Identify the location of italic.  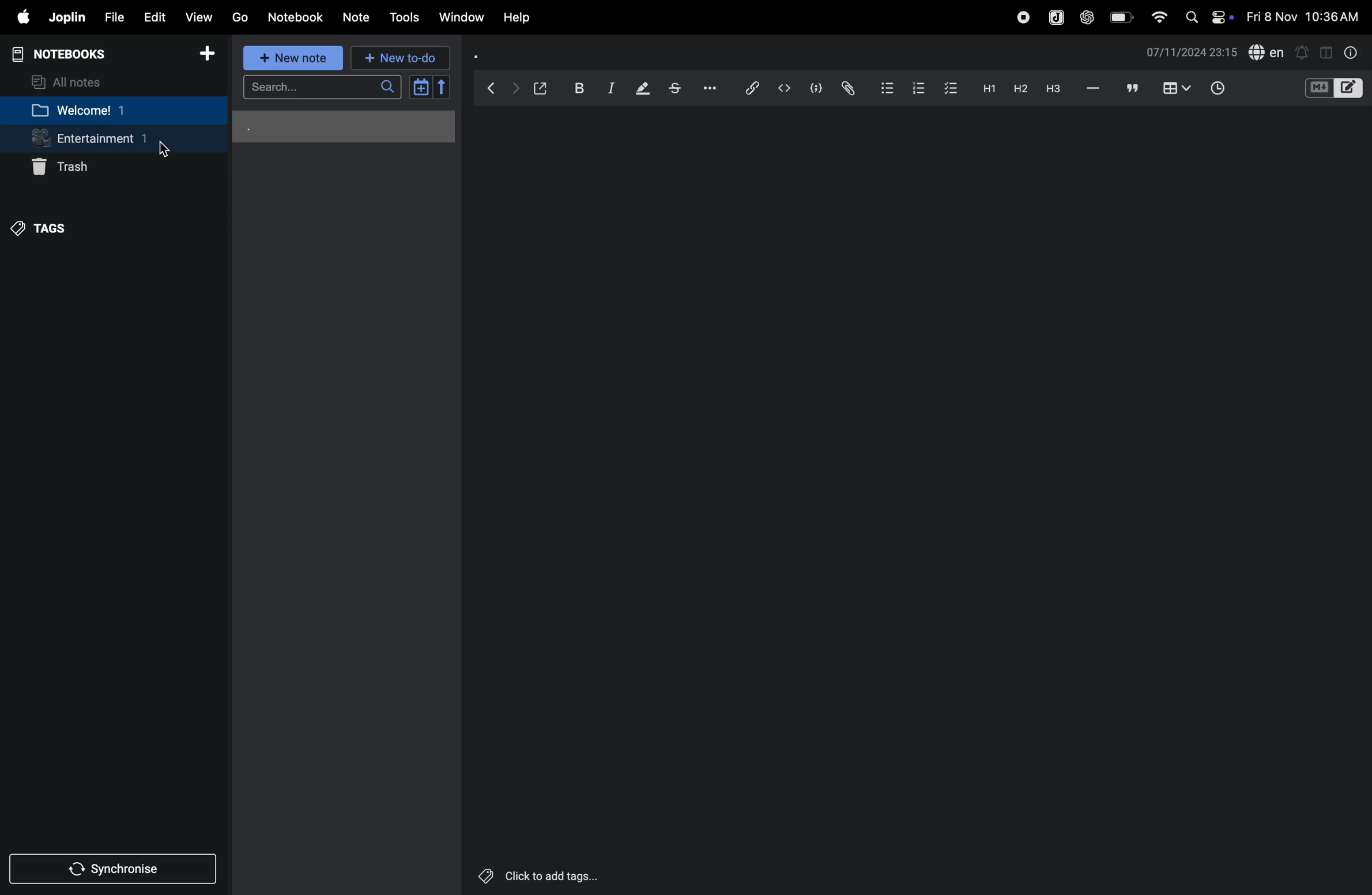
(613, 90).